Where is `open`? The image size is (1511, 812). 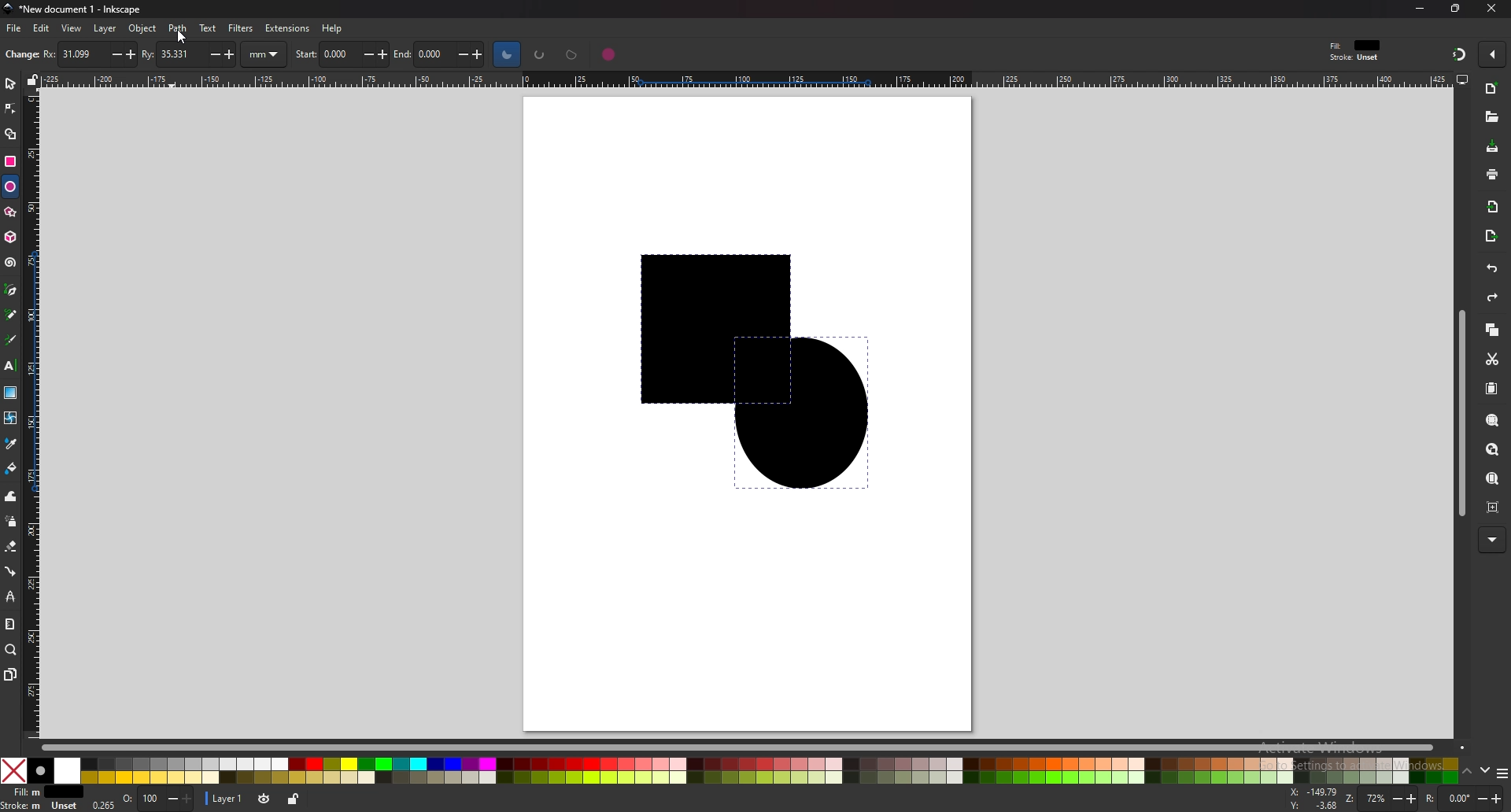 open is located at coordinates (1491, 116).